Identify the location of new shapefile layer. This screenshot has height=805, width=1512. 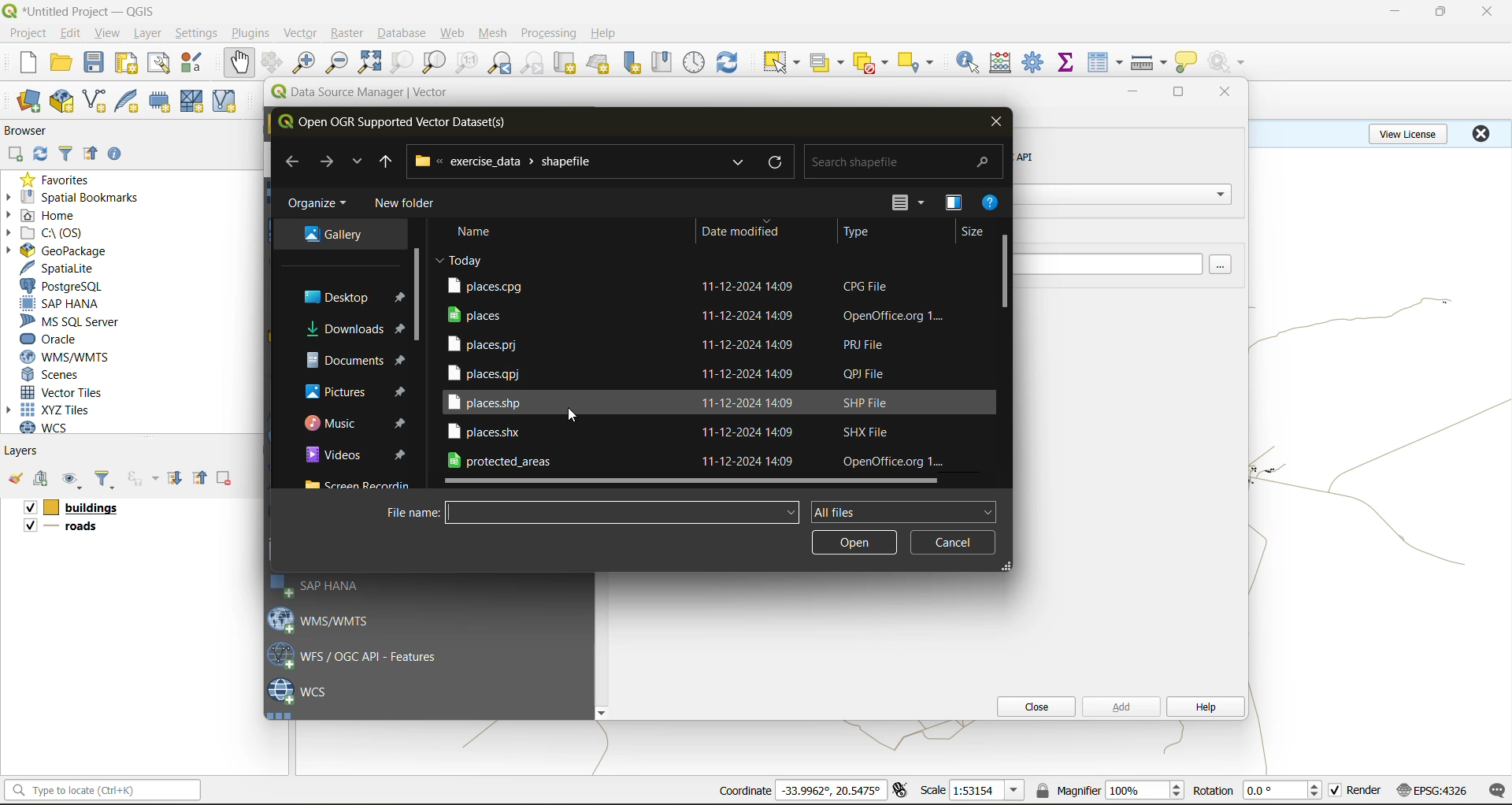
(95, 102).